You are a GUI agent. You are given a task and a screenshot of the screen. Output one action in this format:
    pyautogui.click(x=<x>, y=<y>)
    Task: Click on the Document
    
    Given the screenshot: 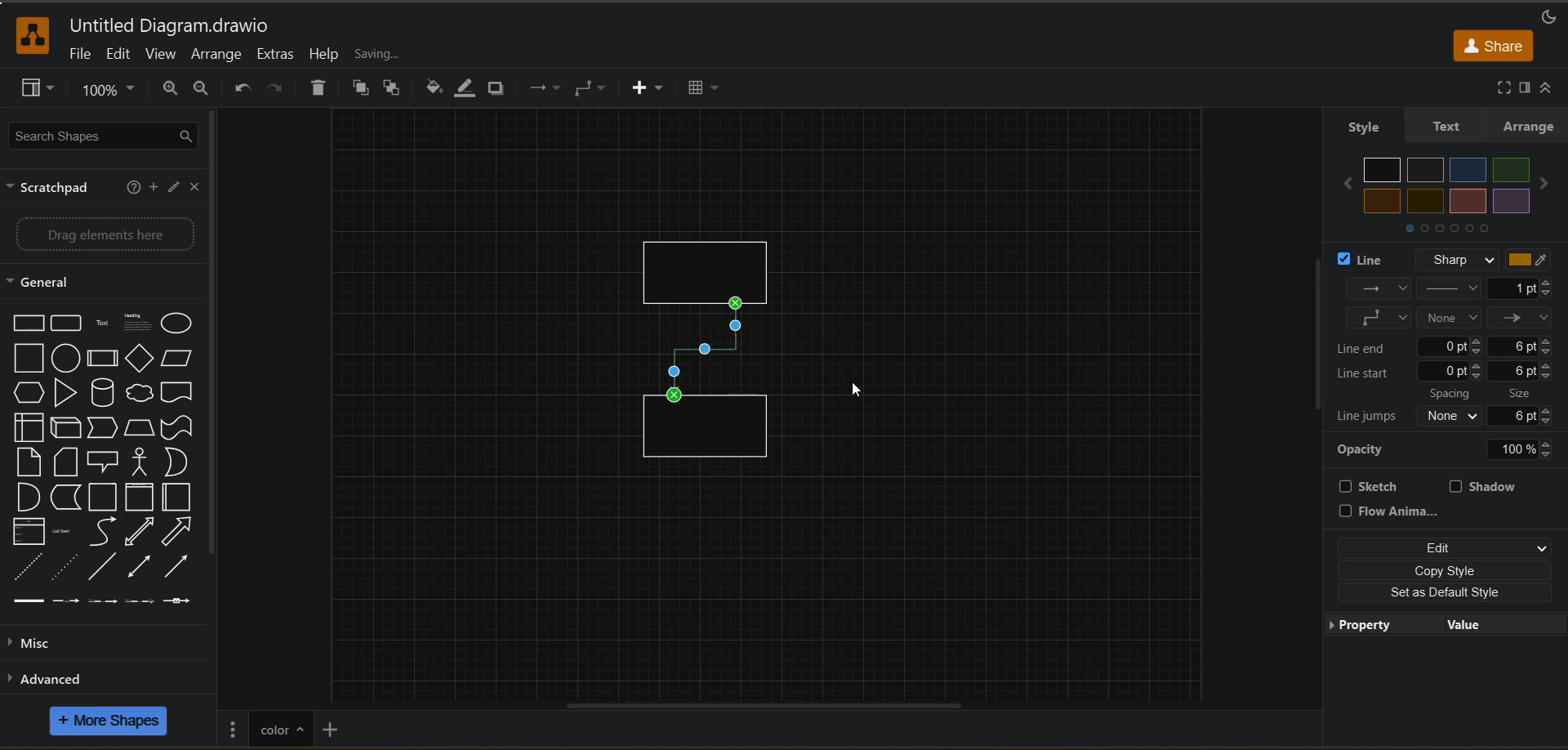 What is the action you would take?
    pyautogui.click(x=179, y=391)
    